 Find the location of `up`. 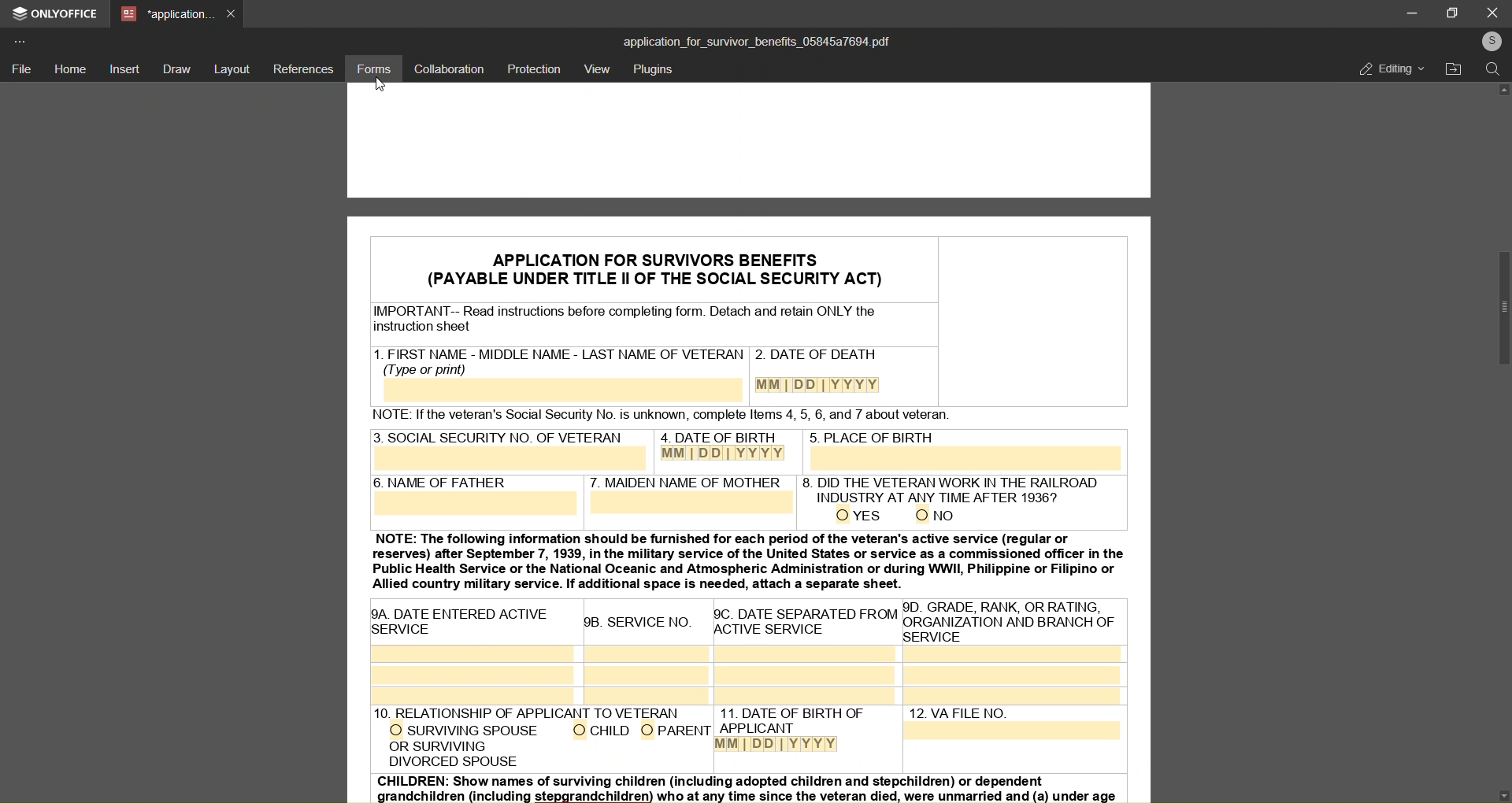

up is located at coordinates (1503, 92).